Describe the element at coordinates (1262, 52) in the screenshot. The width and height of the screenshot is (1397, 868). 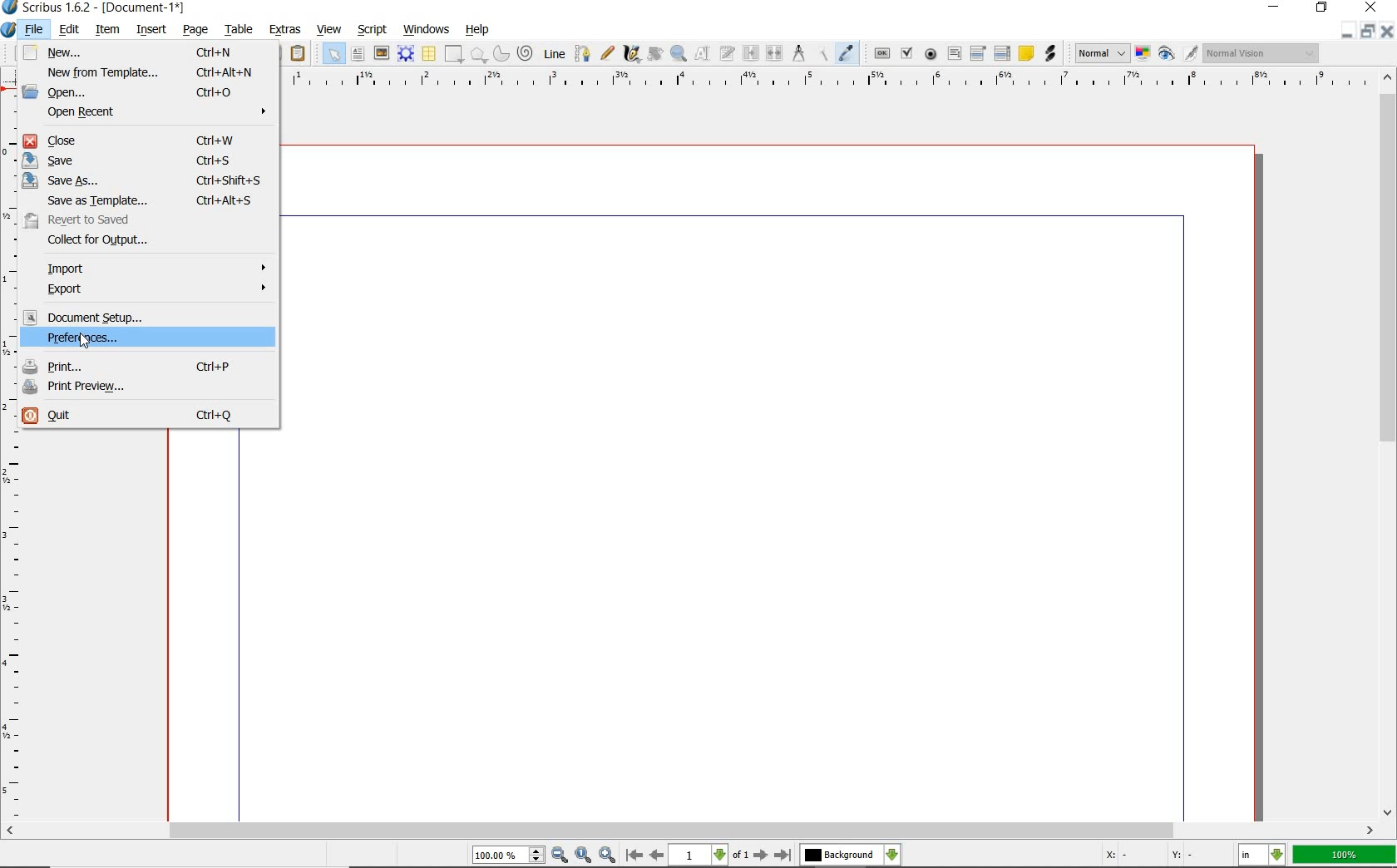
I see `visual appearance of the display` at that location.